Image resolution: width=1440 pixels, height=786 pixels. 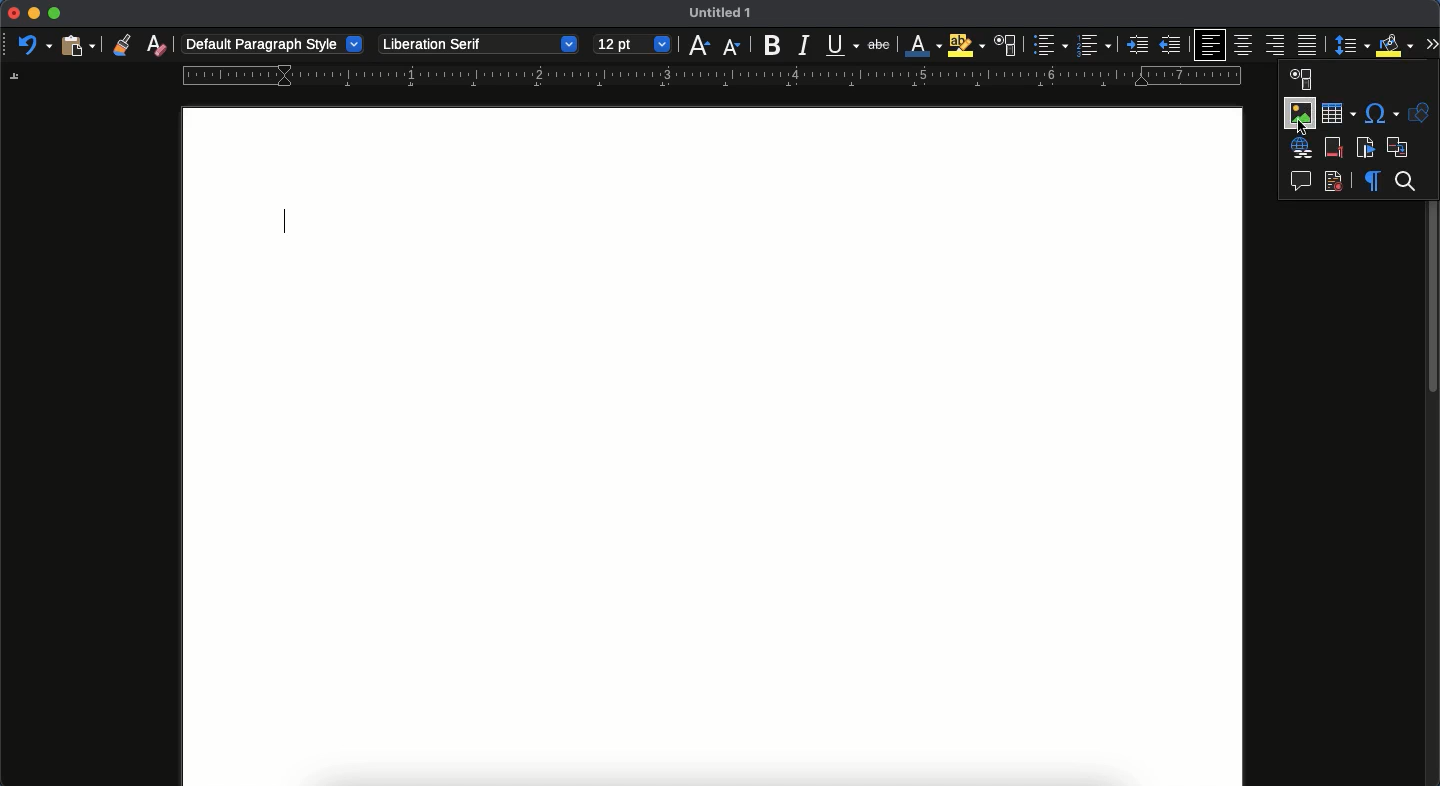 What do you see at coordinates (721, 12) in the screenshot?
I see `untitled 1` at bounding box center [721, 12].